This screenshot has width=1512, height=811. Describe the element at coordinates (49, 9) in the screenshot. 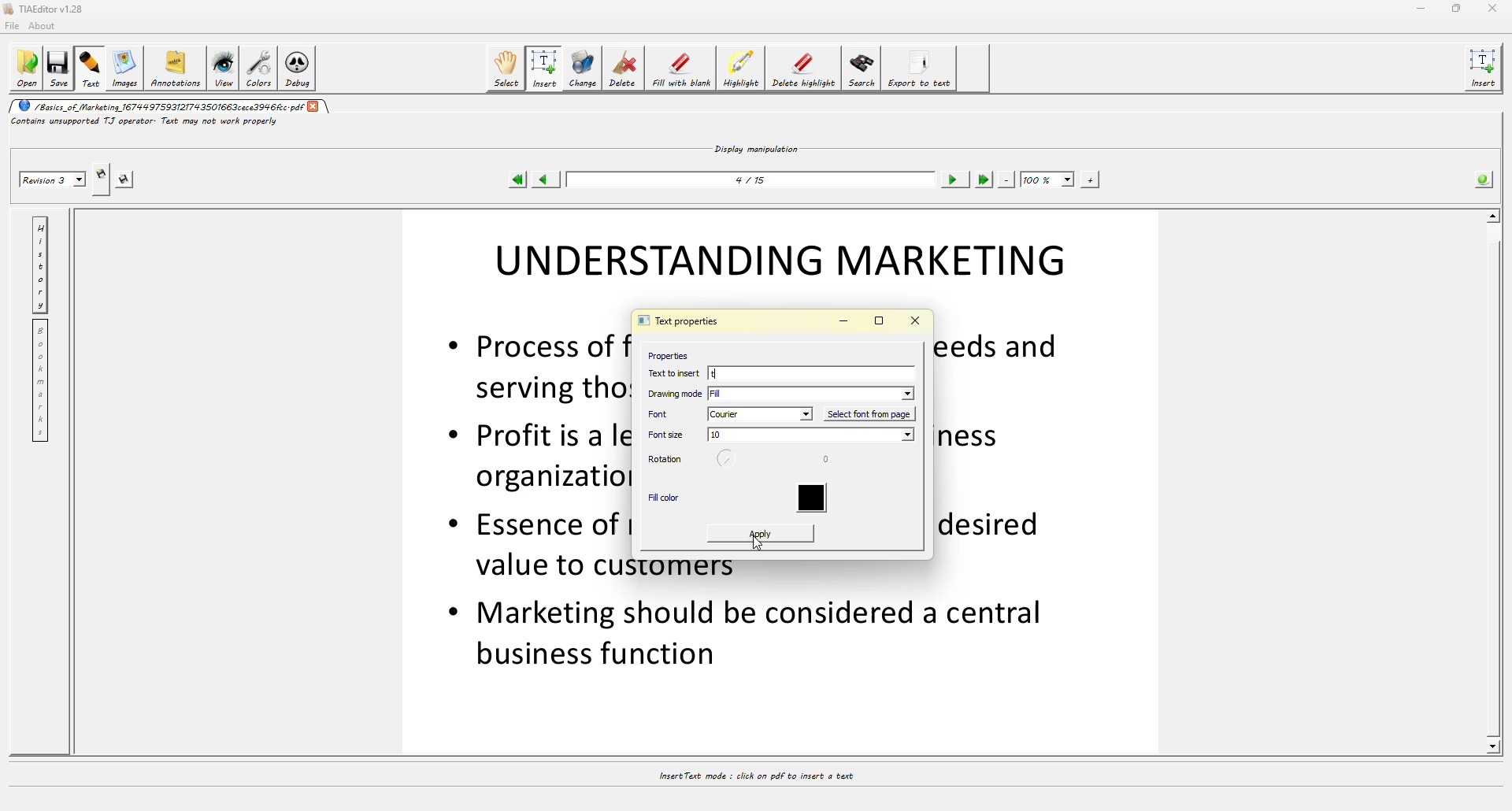

I see `TIAEditor v1.28` at that location.